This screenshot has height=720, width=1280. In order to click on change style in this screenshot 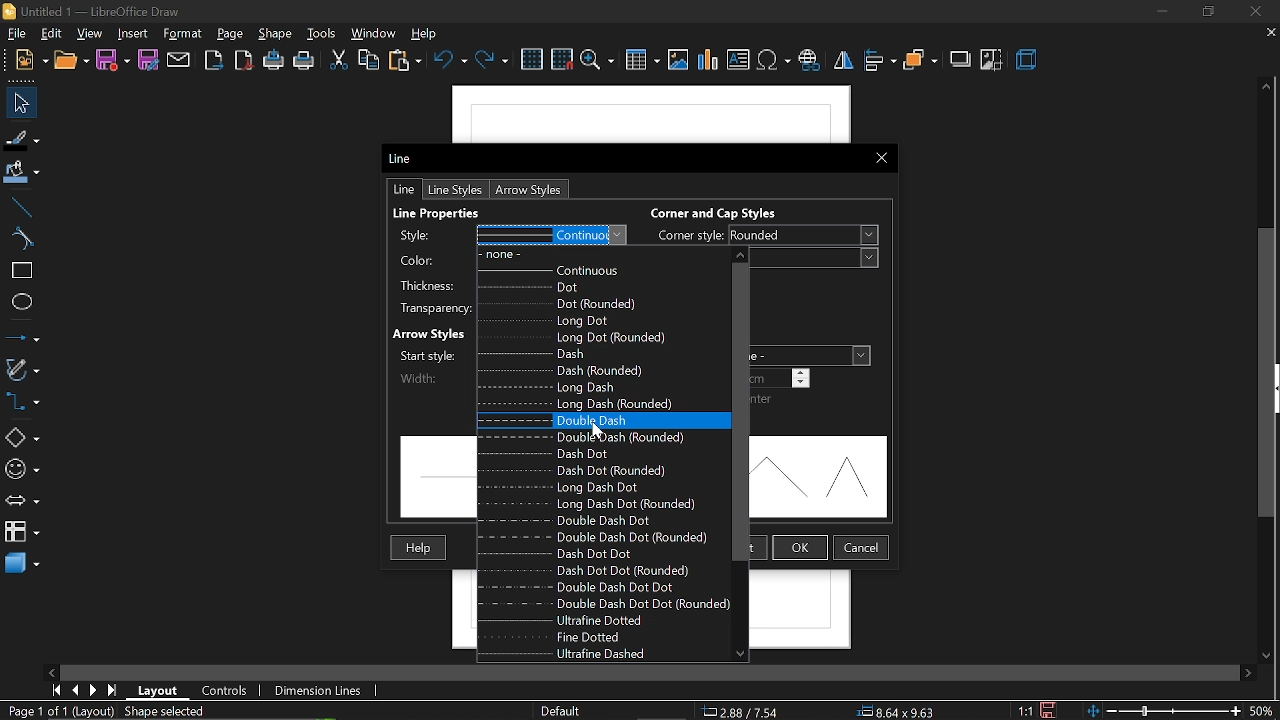, I will do `click(506, 235)`.